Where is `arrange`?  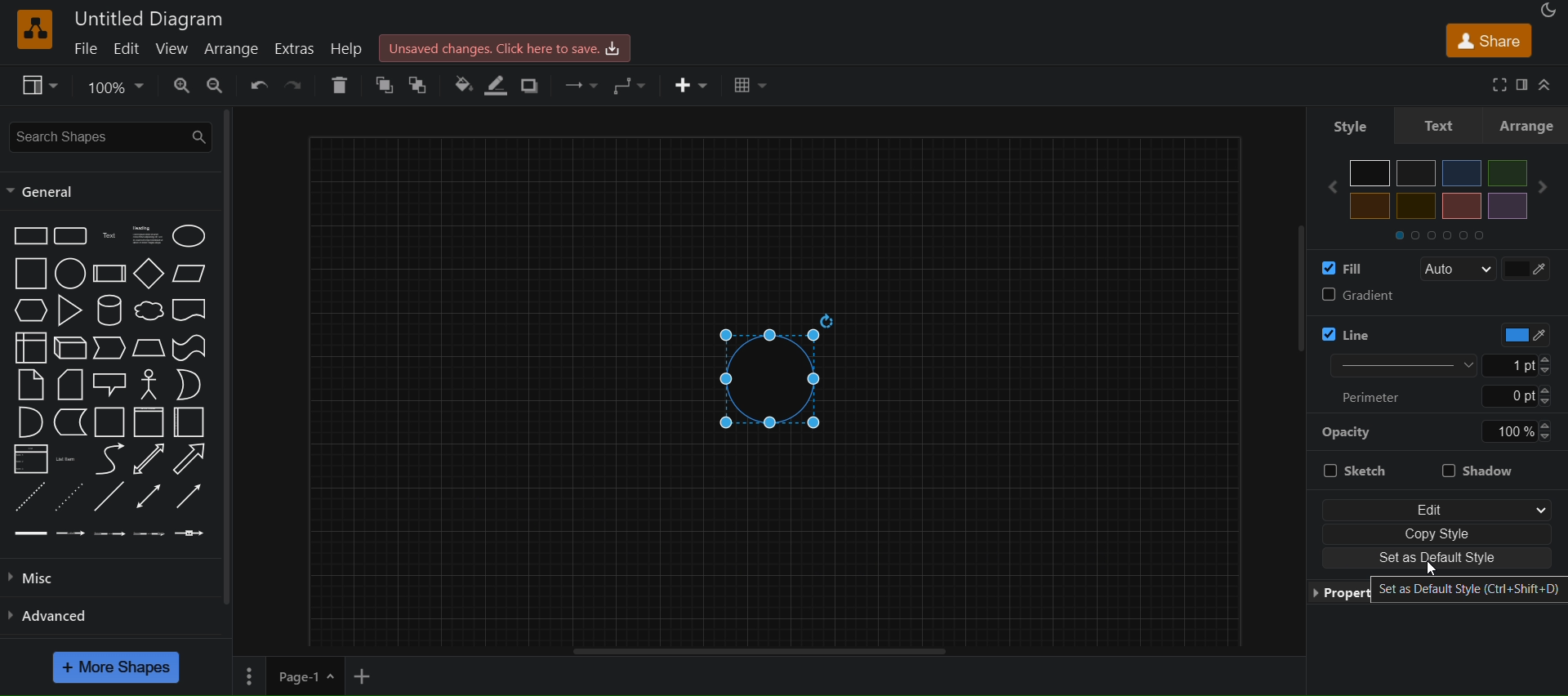
arrange is located at coordinates (236, 50).